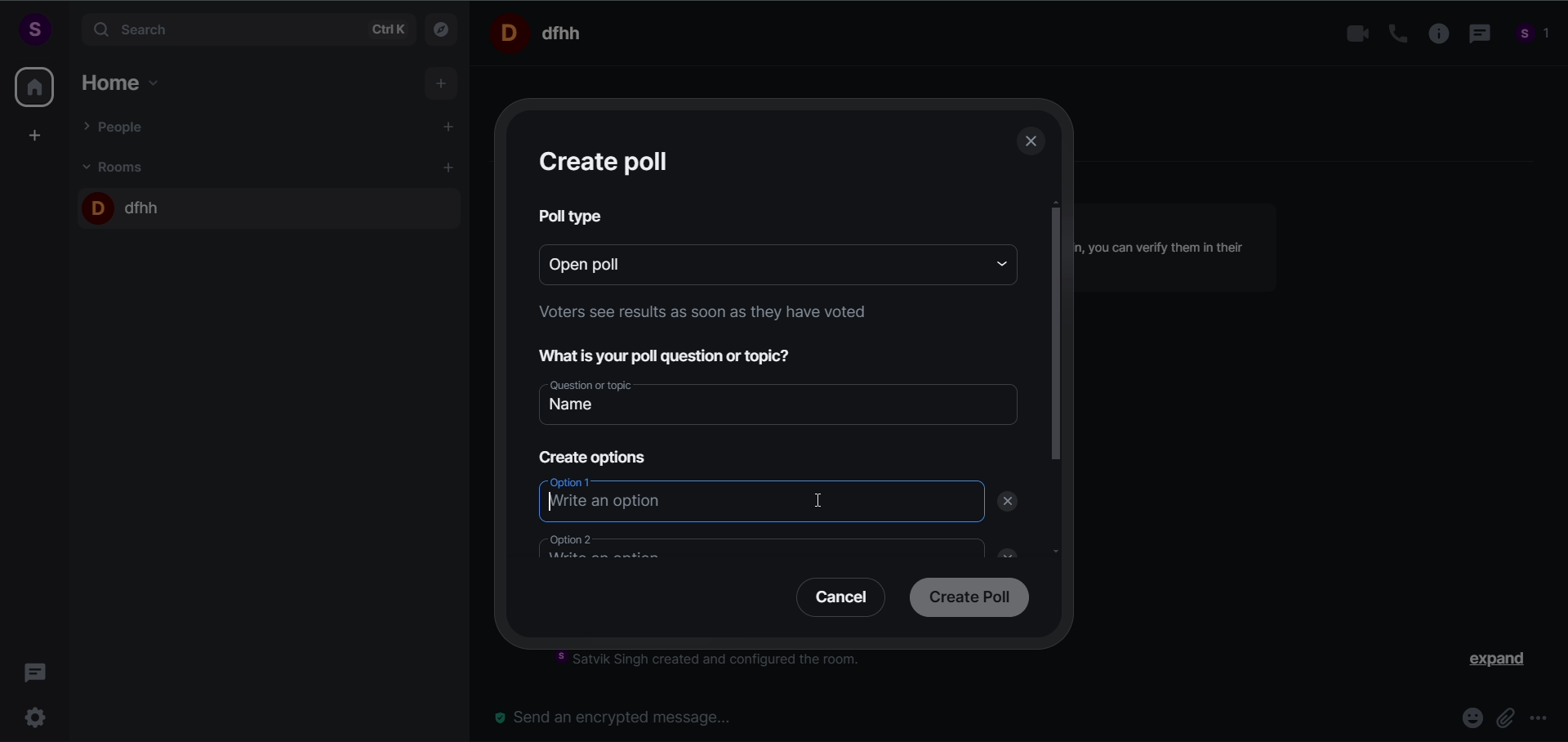  I want to click on thread, so click(1477, 35).